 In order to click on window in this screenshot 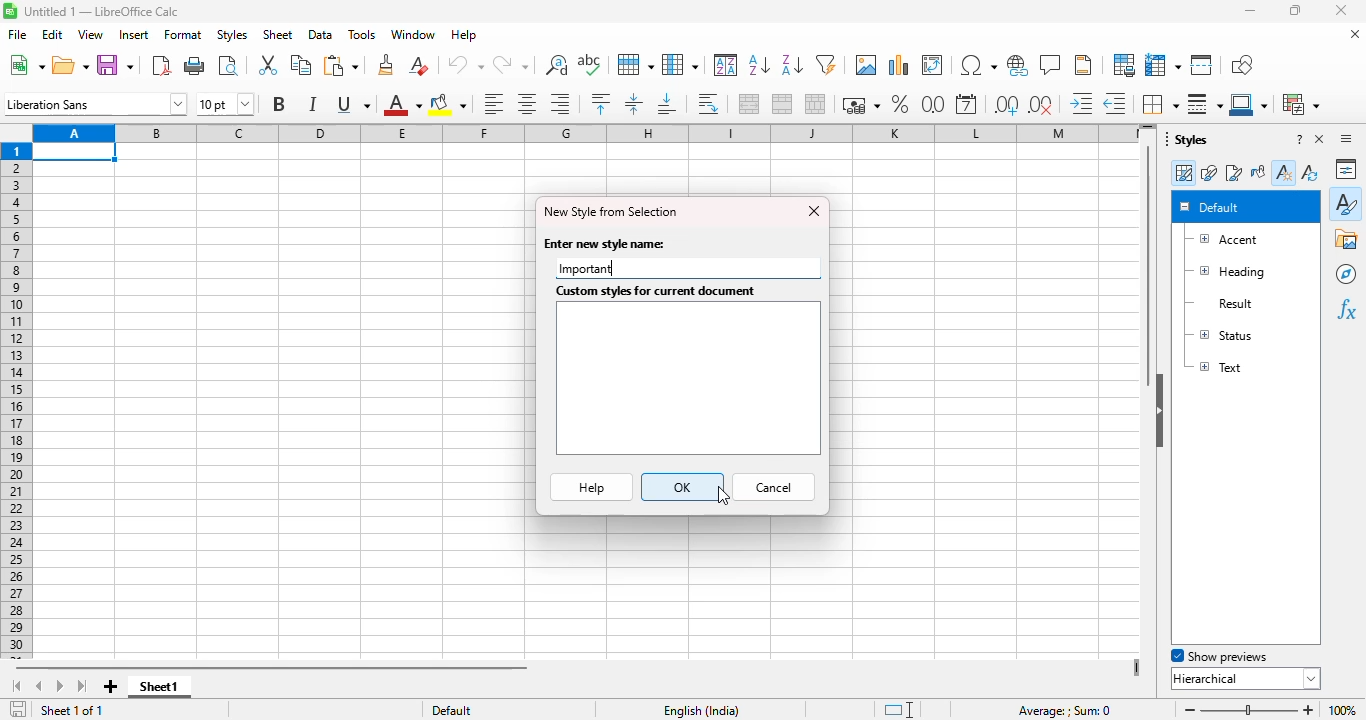, I will do `click(413, 34)`.